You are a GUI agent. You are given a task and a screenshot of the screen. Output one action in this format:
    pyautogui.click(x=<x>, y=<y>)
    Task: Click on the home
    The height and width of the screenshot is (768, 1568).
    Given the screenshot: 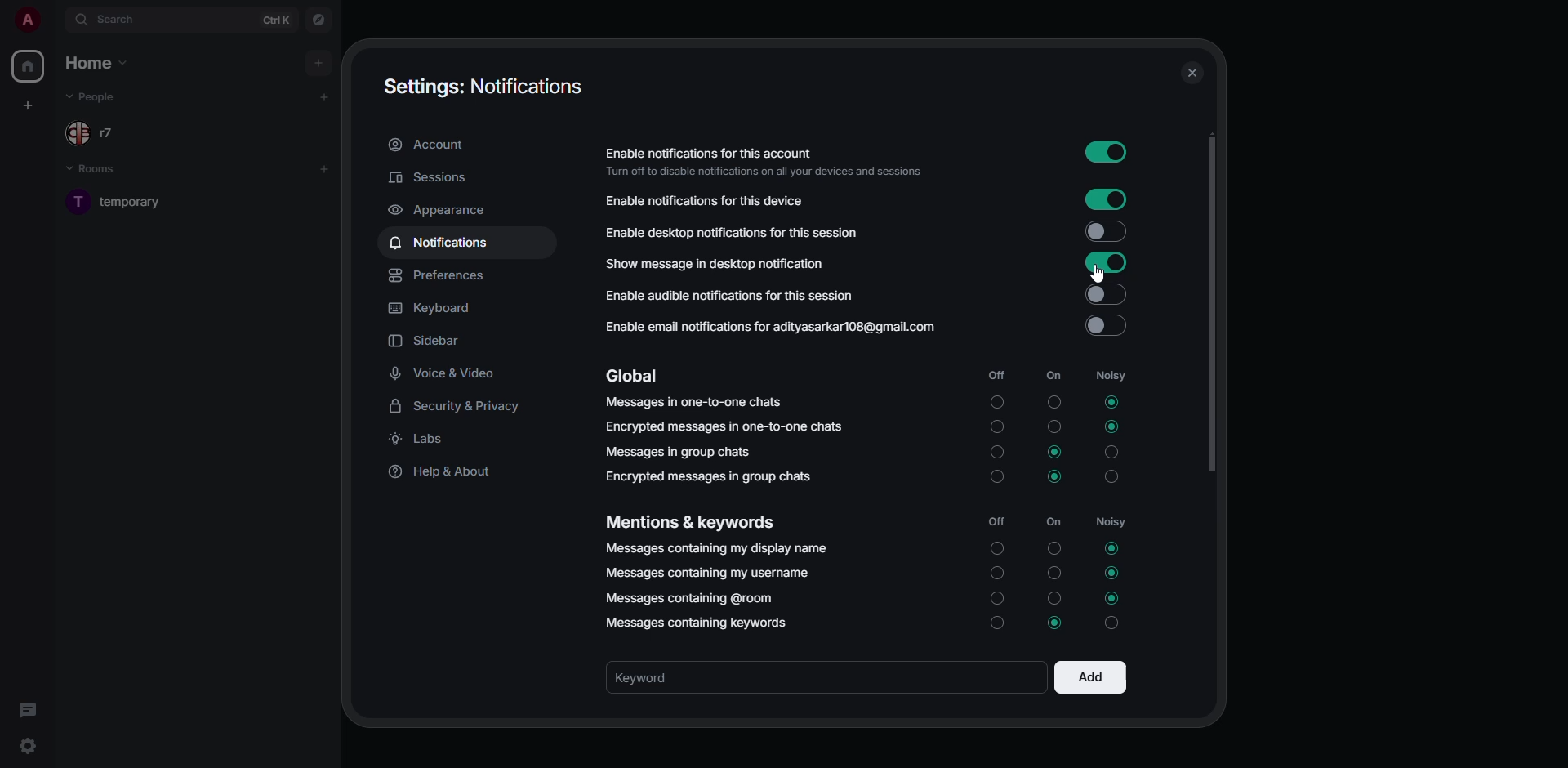 What is the action you would take?
    pyautogui.click(x=104, y=65)
    